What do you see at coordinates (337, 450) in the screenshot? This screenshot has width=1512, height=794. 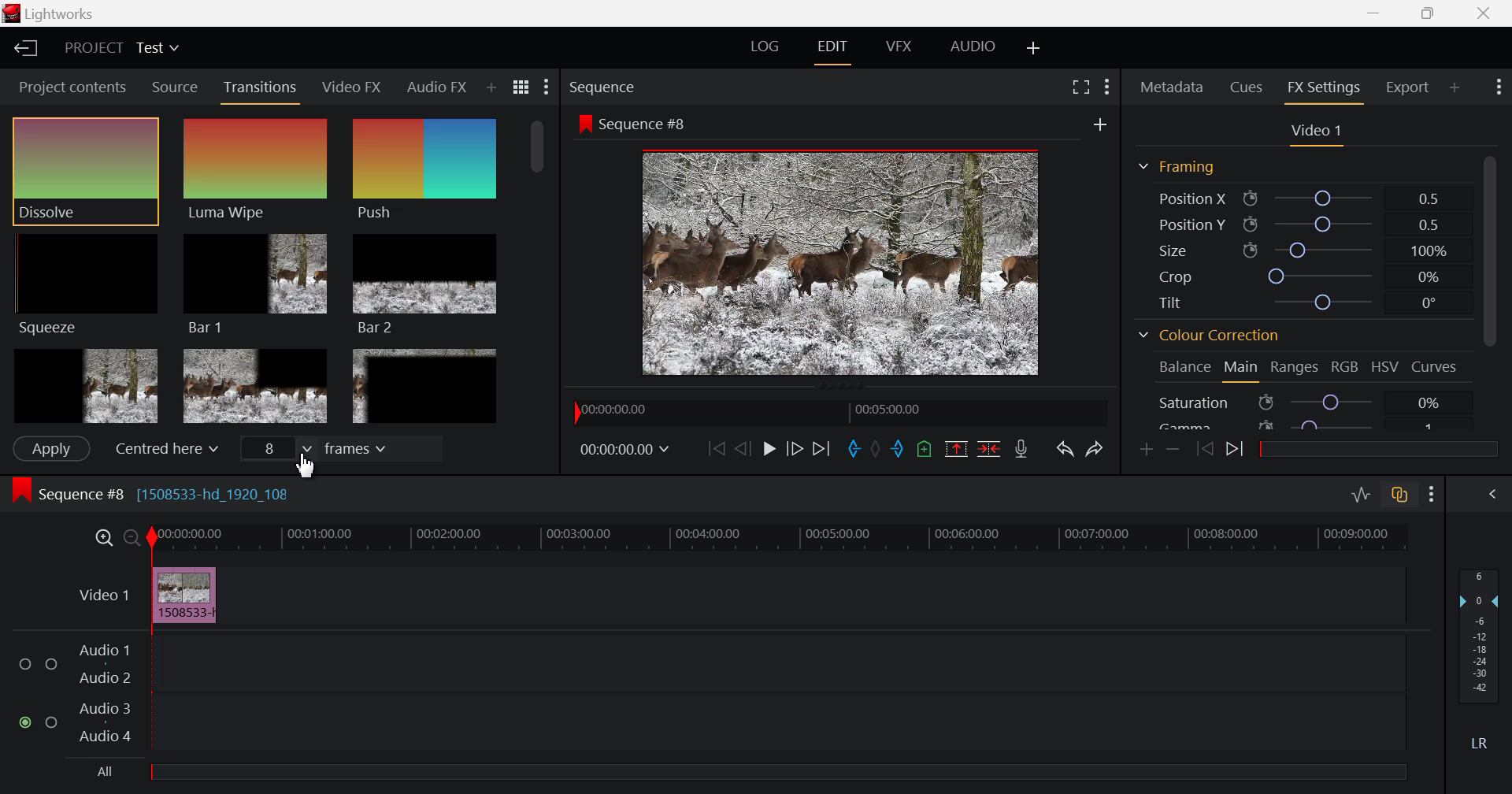 I see `Cursor on Frames Input` at bounding box center [337, 450].